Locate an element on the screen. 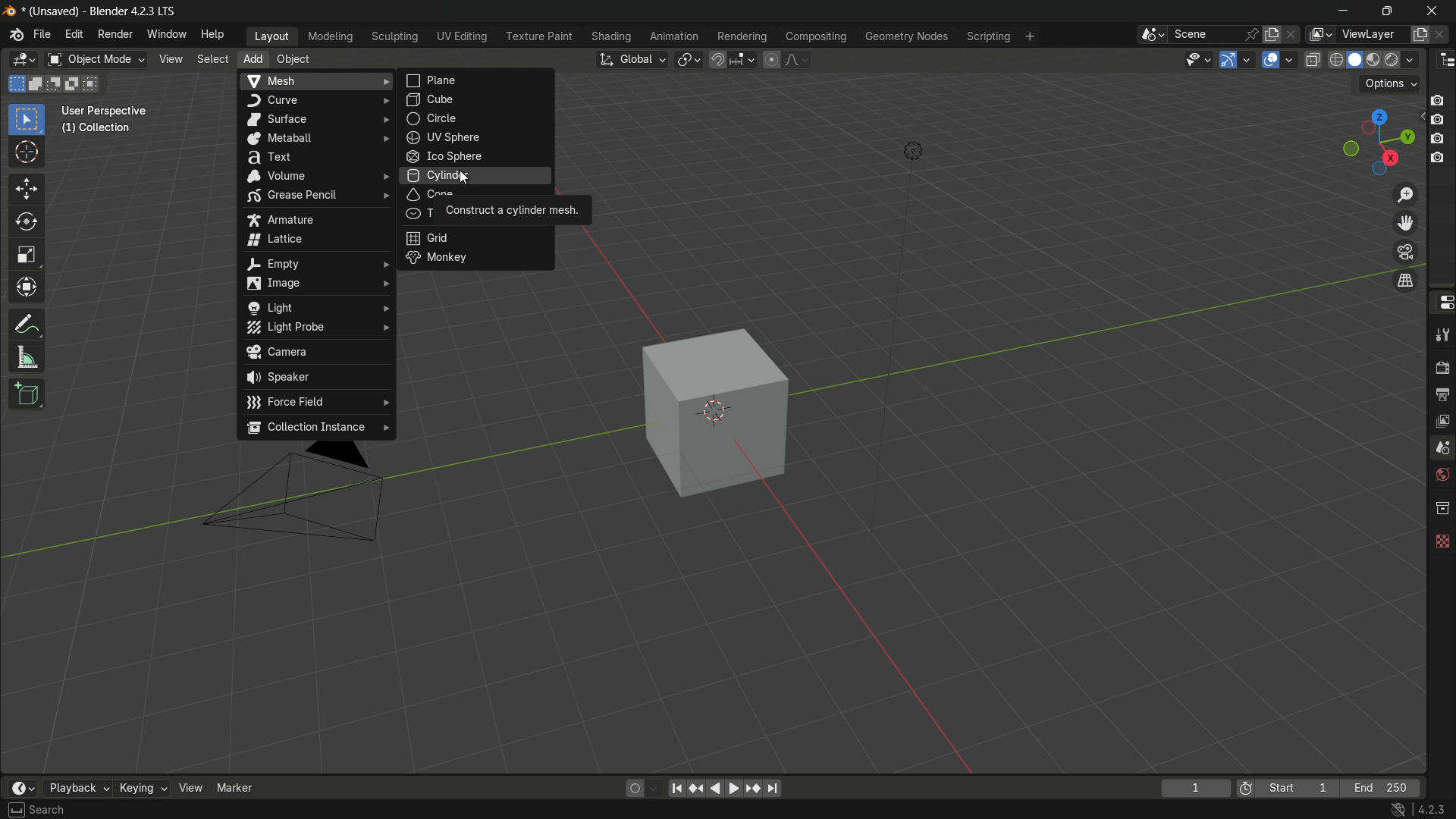  zoom in/out is located at coordinates (1405, 194).